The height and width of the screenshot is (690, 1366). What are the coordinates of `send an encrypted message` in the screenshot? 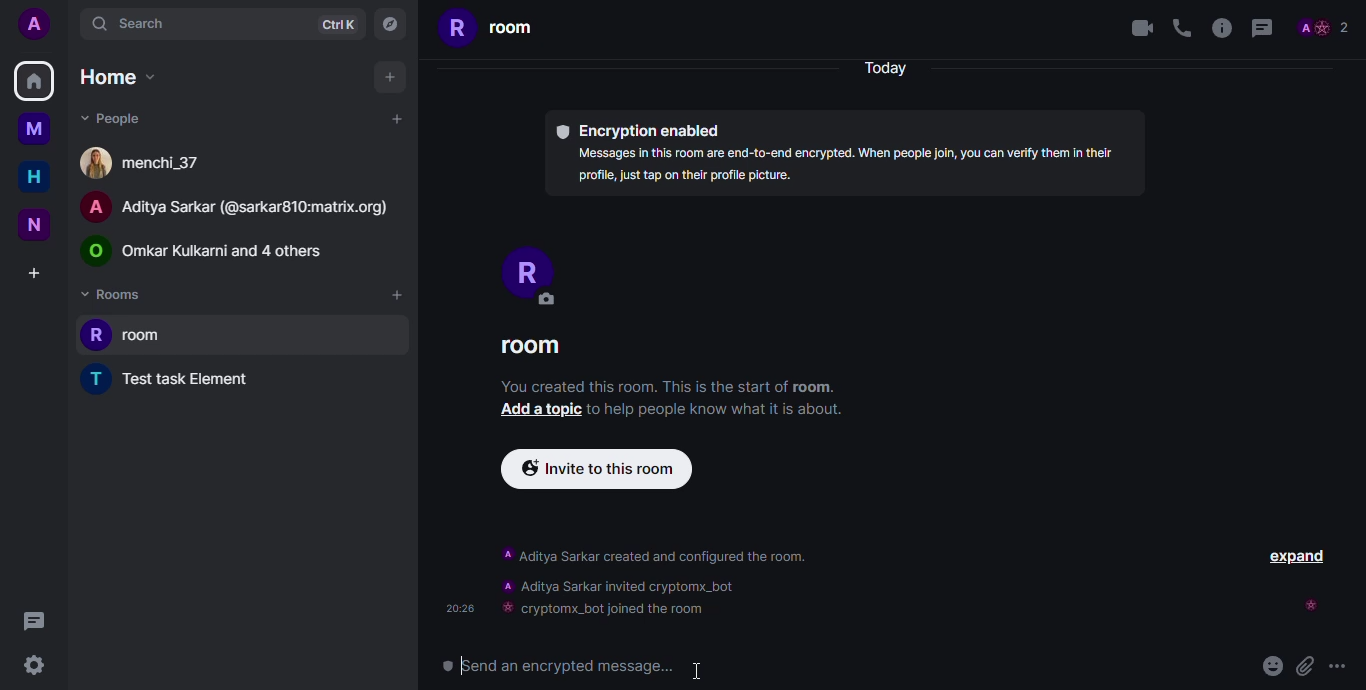 It's located at (582, 665).